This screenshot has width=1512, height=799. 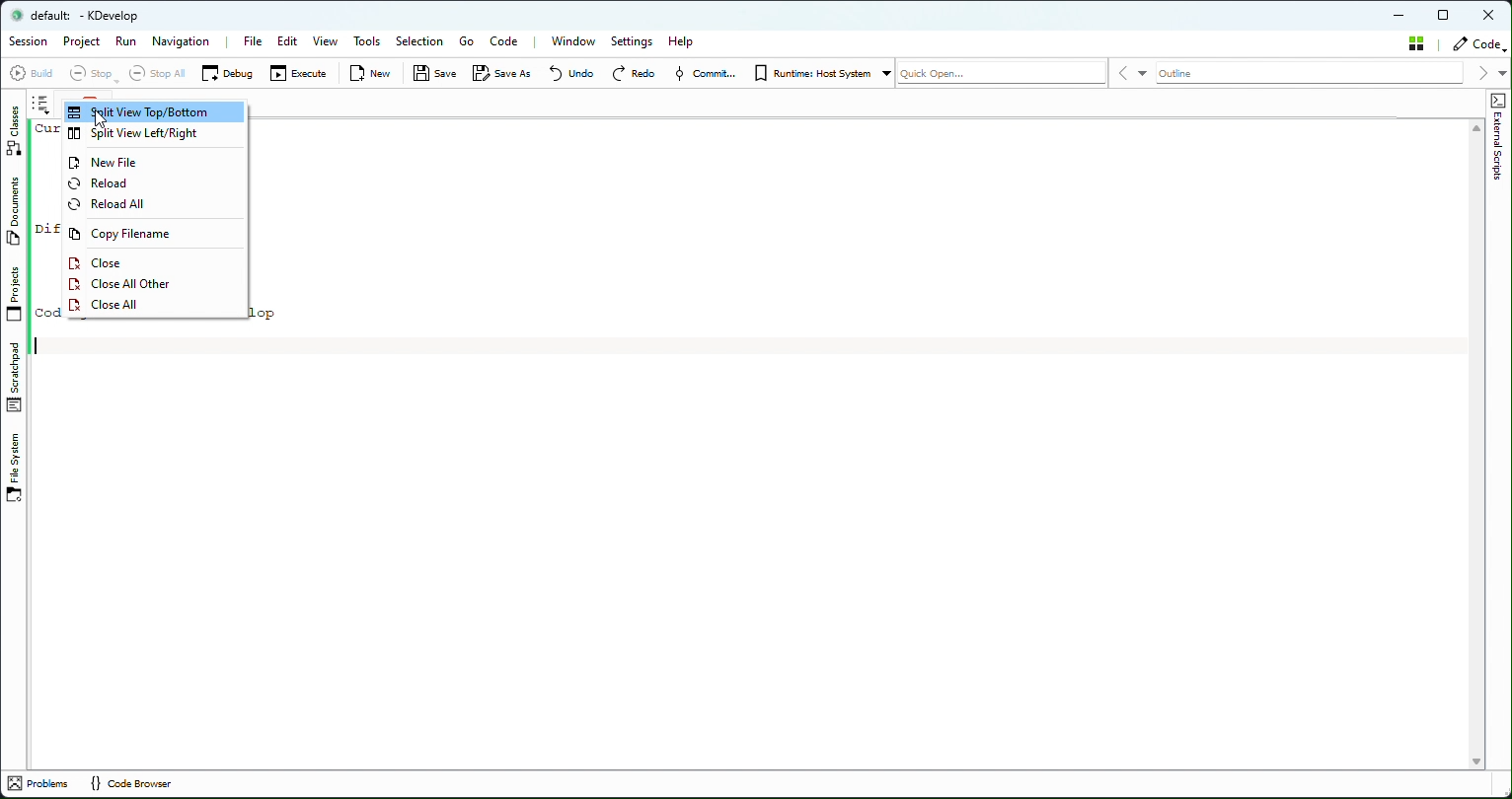 I want to click on Minimize, so click(x=1404, y=13).